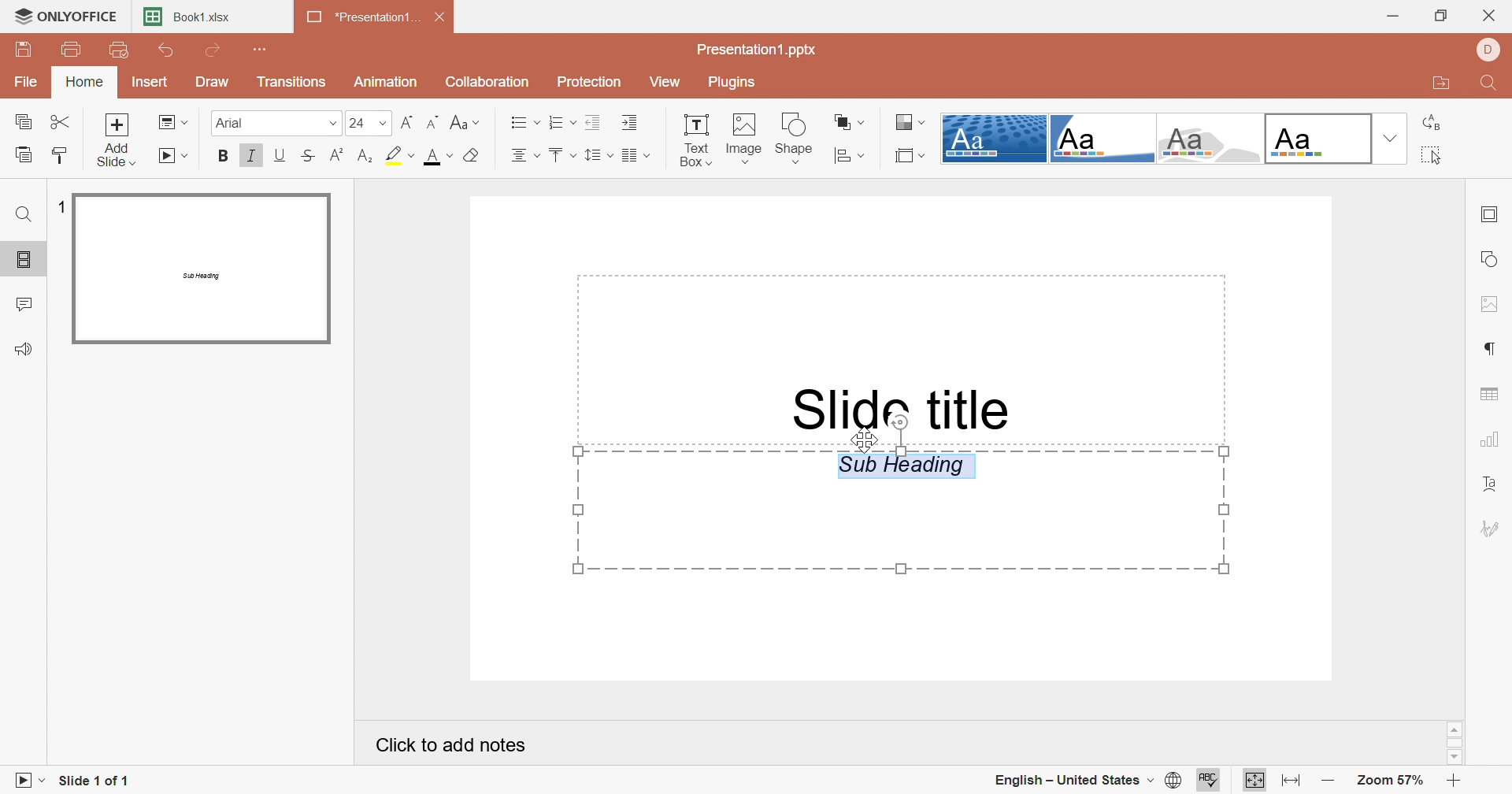  I want to click on Text Art settings, so click(1496, 484).